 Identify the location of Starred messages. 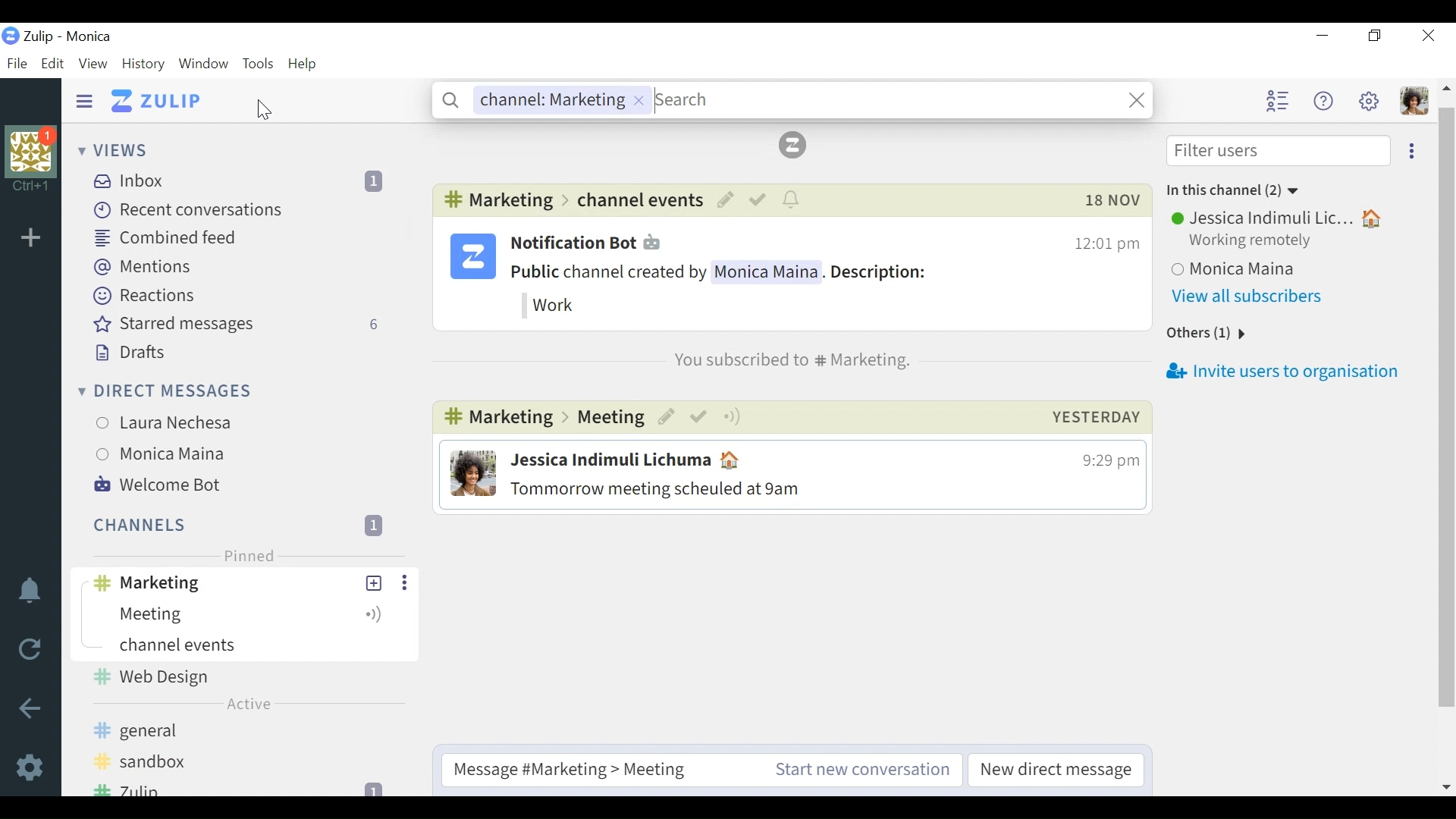
(238, 325).